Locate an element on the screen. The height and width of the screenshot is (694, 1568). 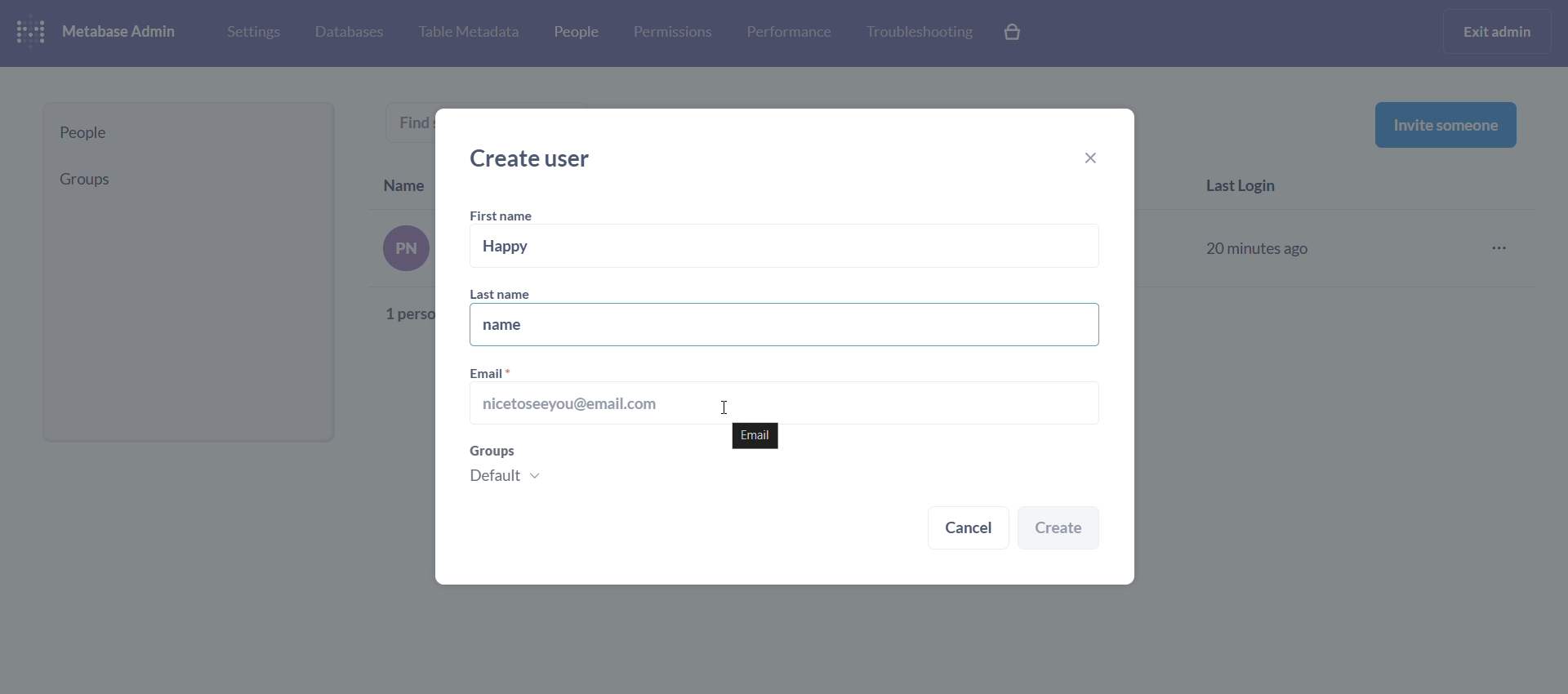
permissions is located at coordinates (673, 33).